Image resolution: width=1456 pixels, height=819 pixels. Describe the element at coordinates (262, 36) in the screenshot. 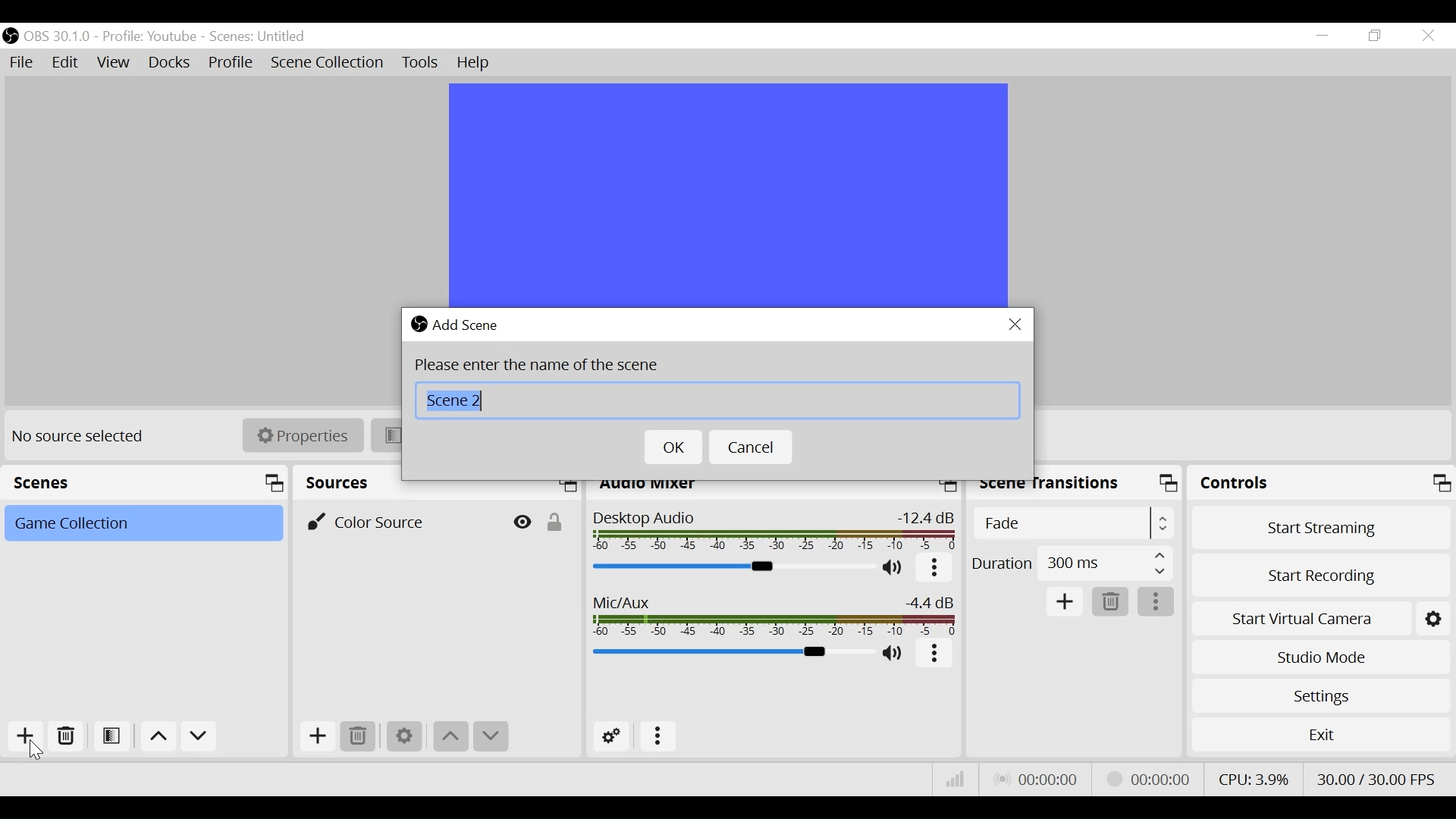

I see `Scenes Name` at that location.